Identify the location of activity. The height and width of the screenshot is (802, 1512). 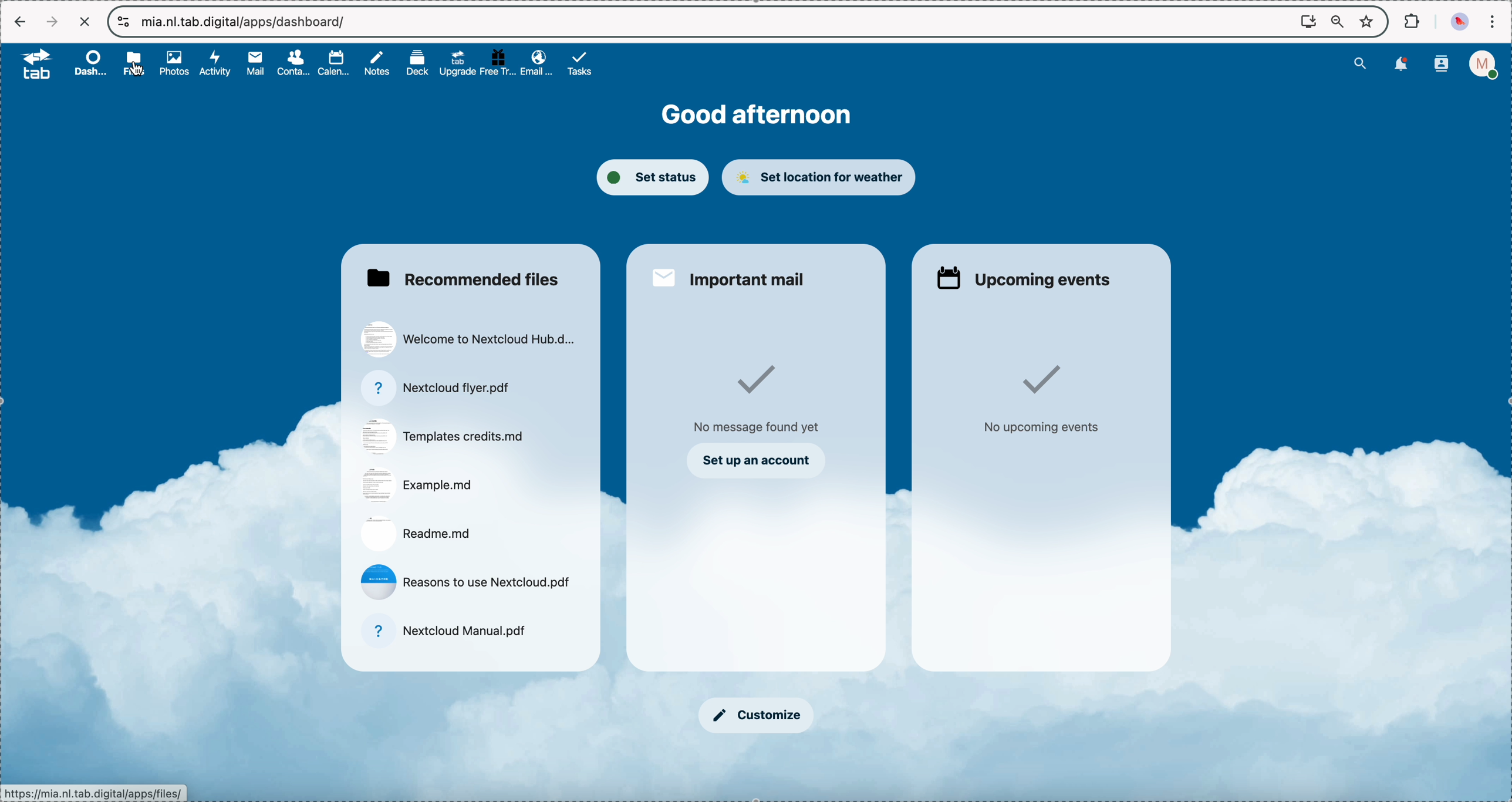
(217, 63).